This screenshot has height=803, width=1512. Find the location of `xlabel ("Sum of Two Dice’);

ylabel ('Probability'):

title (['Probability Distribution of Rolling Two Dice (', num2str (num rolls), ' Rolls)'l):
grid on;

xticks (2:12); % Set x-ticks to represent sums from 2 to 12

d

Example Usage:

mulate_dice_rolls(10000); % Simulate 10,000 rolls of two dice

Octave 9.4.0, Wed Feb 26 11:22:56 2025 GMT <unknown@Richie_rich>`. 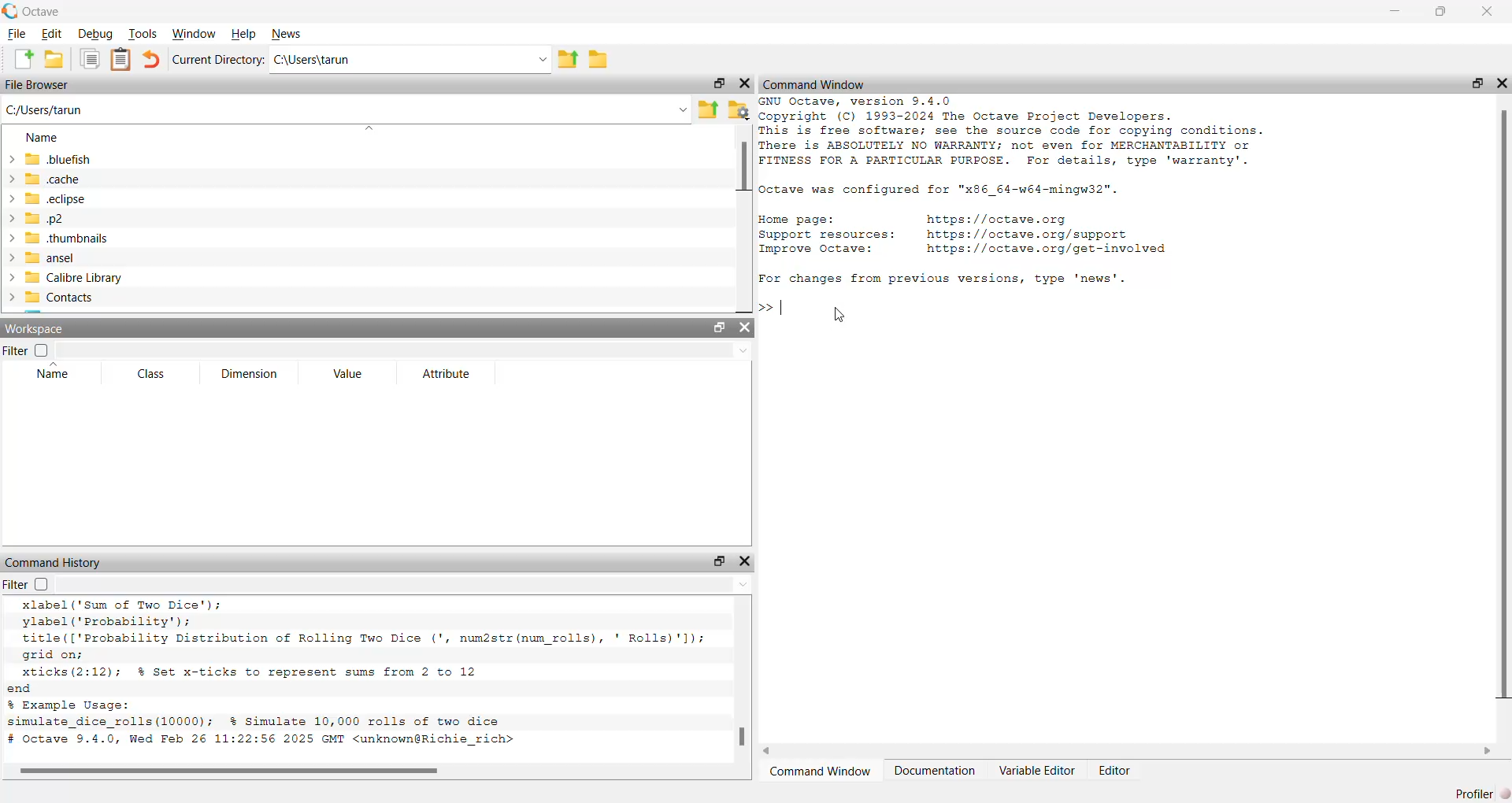

xlabel ("Sum of Two Dice’);

ylabel ('Probability'):

title (['Probability Distribution of Rolling Two Dice (', num2str (num rolls), ' Rolls)'l):
grid on;

xticks (2:12); % Set x-ticks to represent sums from 2 to 12

d

Example Usage:

mulate_dice_rolls(10000); % Simulate 10,000 rolls of two dice

Octave 9.4.0, Wed Feb 26 11:22:56 2025 GMT <unknown@Richie_rich> is located at coordinates (358, 677).